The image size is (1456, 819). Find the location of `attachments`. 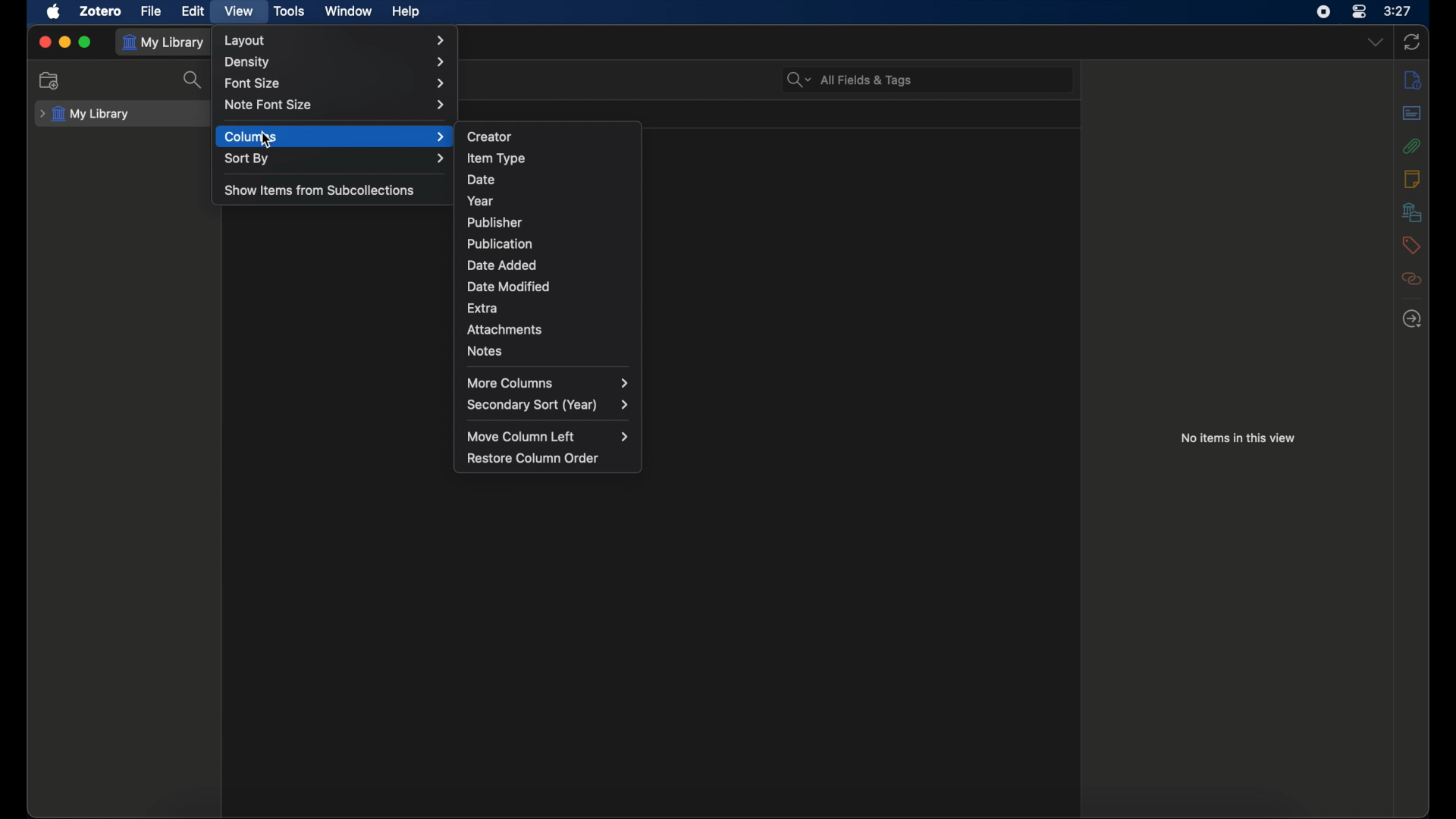

attachments is located at coordinates (505, 328).